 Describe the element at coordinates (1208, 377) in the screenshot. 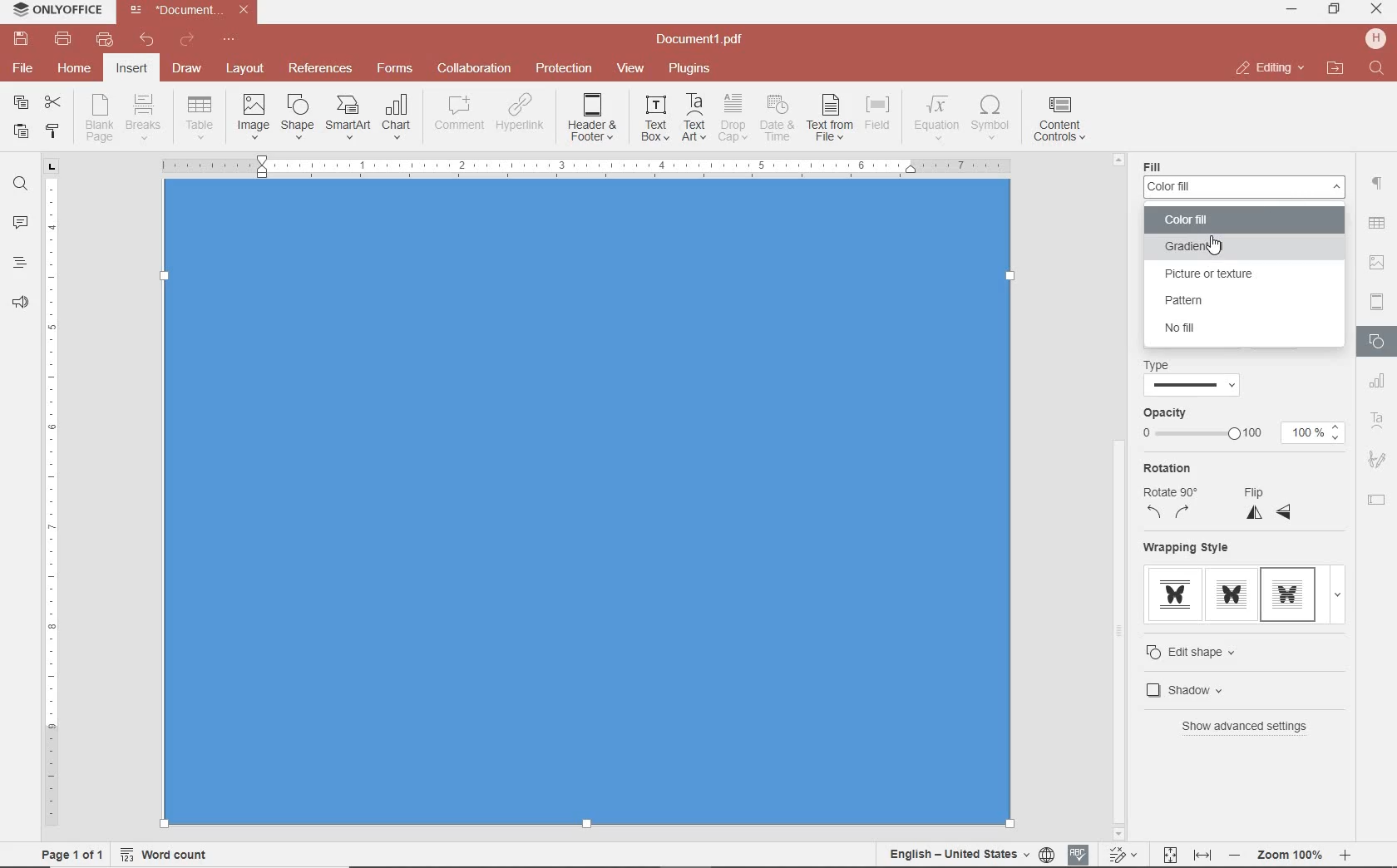

I see `TYPE` at that location.